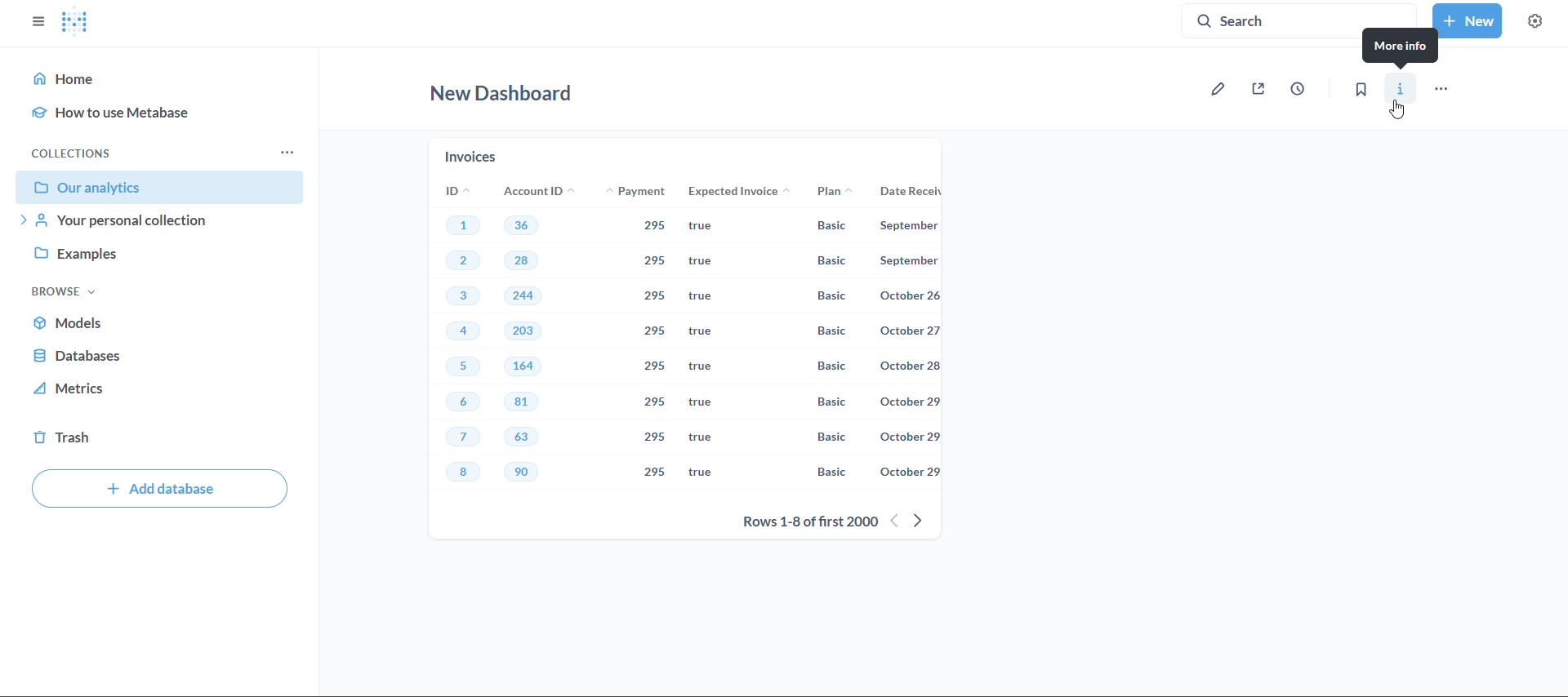 This screenshot has height=697, width=1568. Describe the element at coordinates (645, 193) in the screenshot. I see `payment` at that location.